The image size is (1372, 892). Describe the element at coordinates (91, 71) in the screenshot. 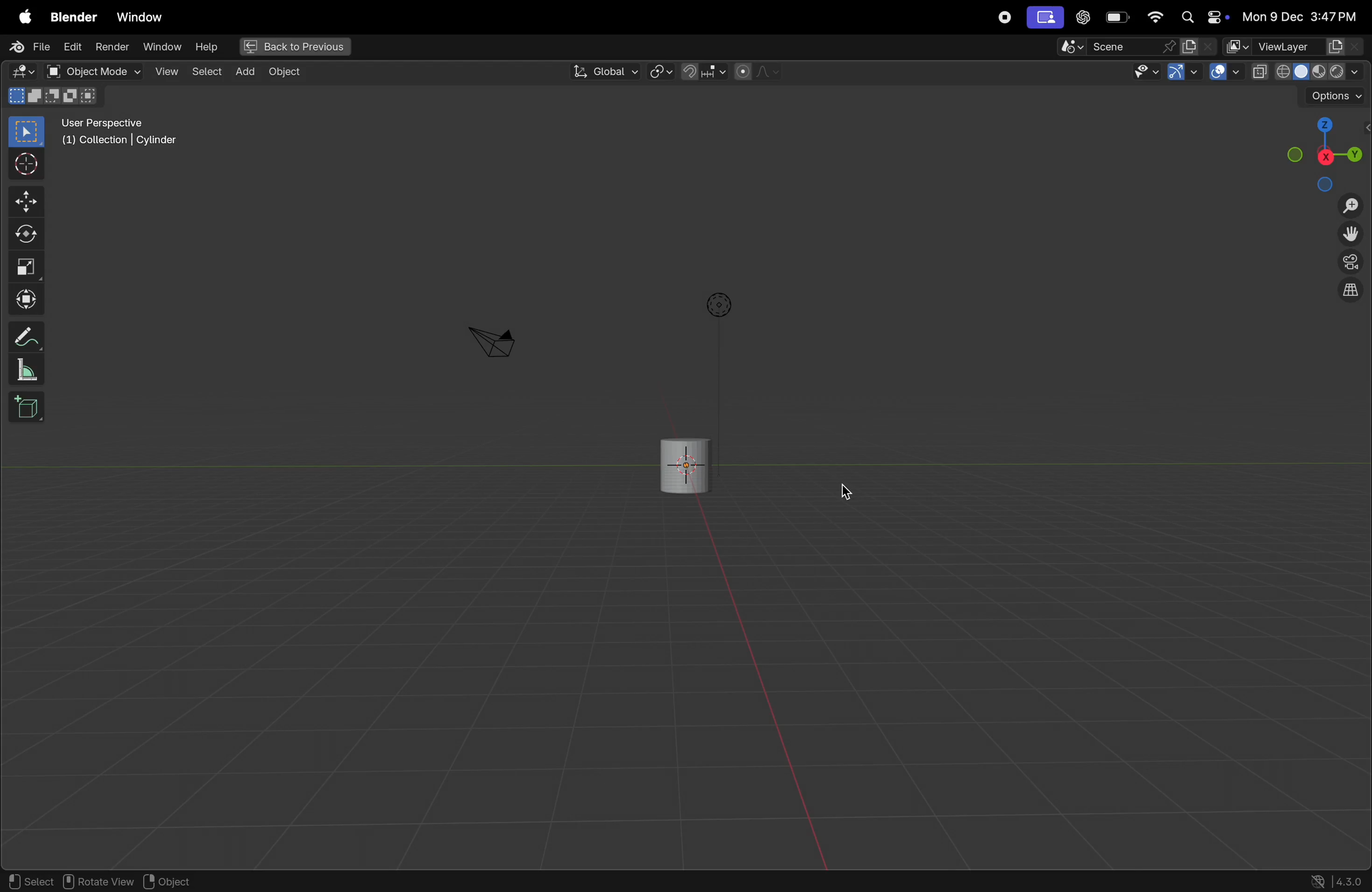

I see `object mode` at that location.